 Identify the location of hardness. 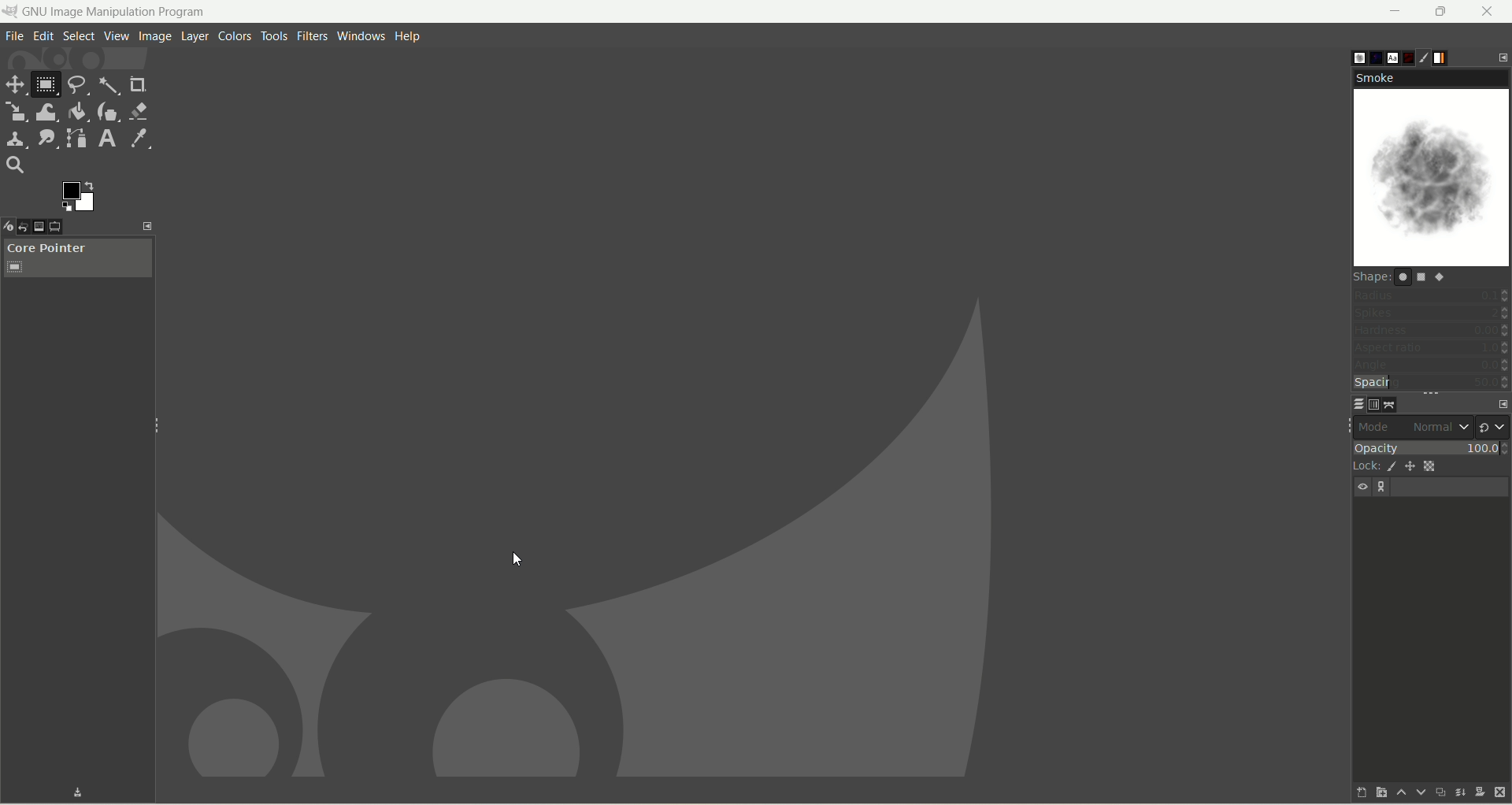
(1431, 332).